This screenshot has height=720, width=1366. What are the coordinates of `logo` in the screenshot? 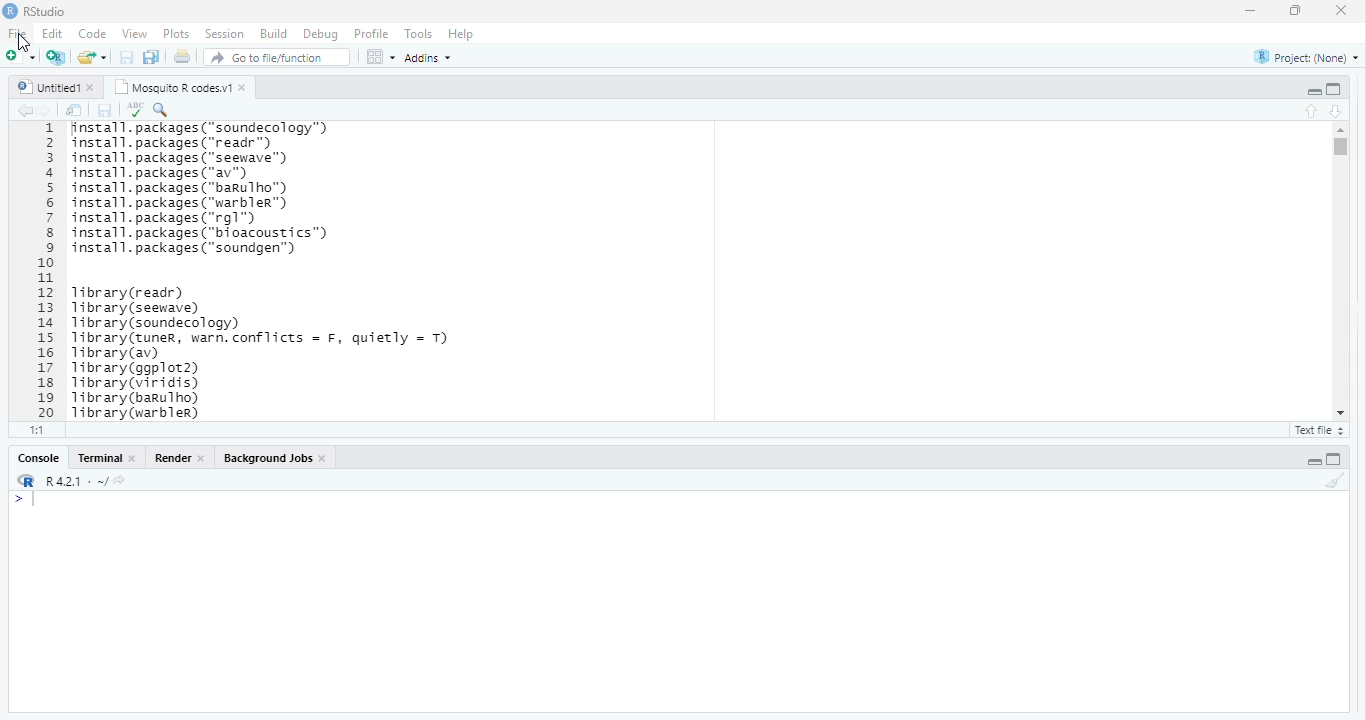 It's located at (28, 480).